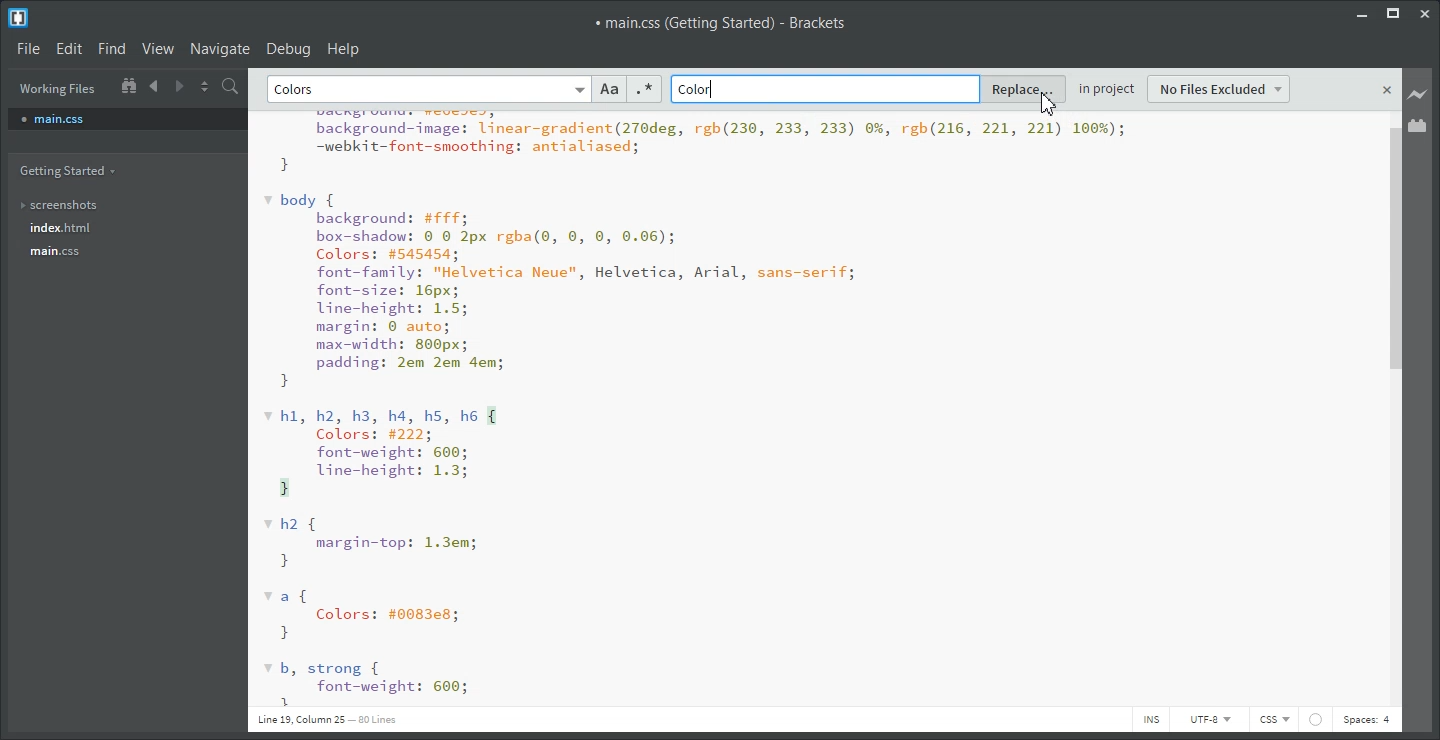 The height and width of the screenshot is (740, 1440). What do you see at coordinates (1418, 95) in the screenshot?
I see `Live Preview` at bounding box center [1418, 95].